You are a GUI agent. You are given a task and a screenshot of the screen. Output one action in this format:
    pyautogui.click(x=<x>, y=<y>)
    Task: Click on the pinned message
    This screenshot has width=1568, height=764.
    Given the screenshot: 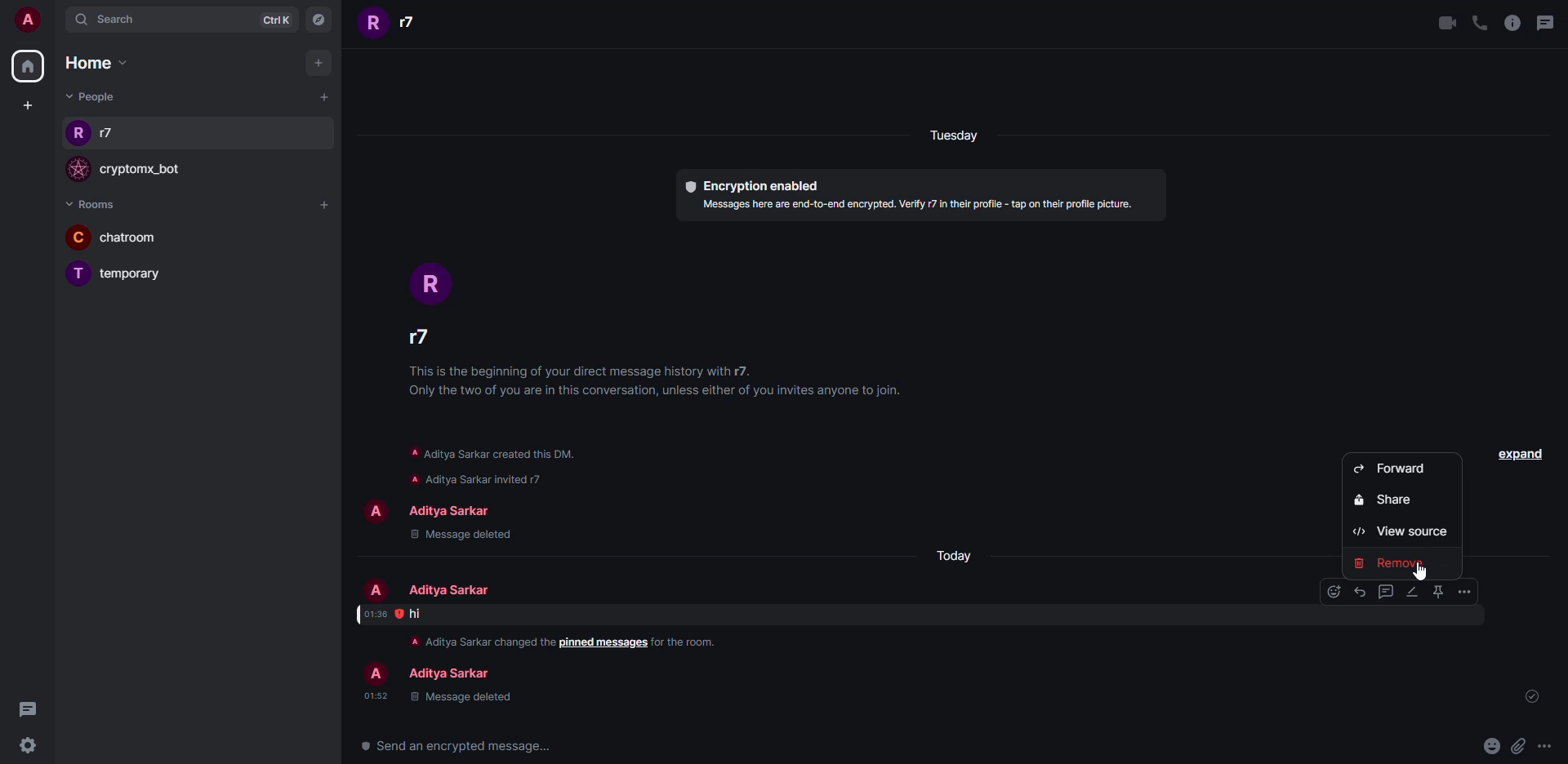 What is the action you would take?
    pyautogui.click(x=604, y=643)
    